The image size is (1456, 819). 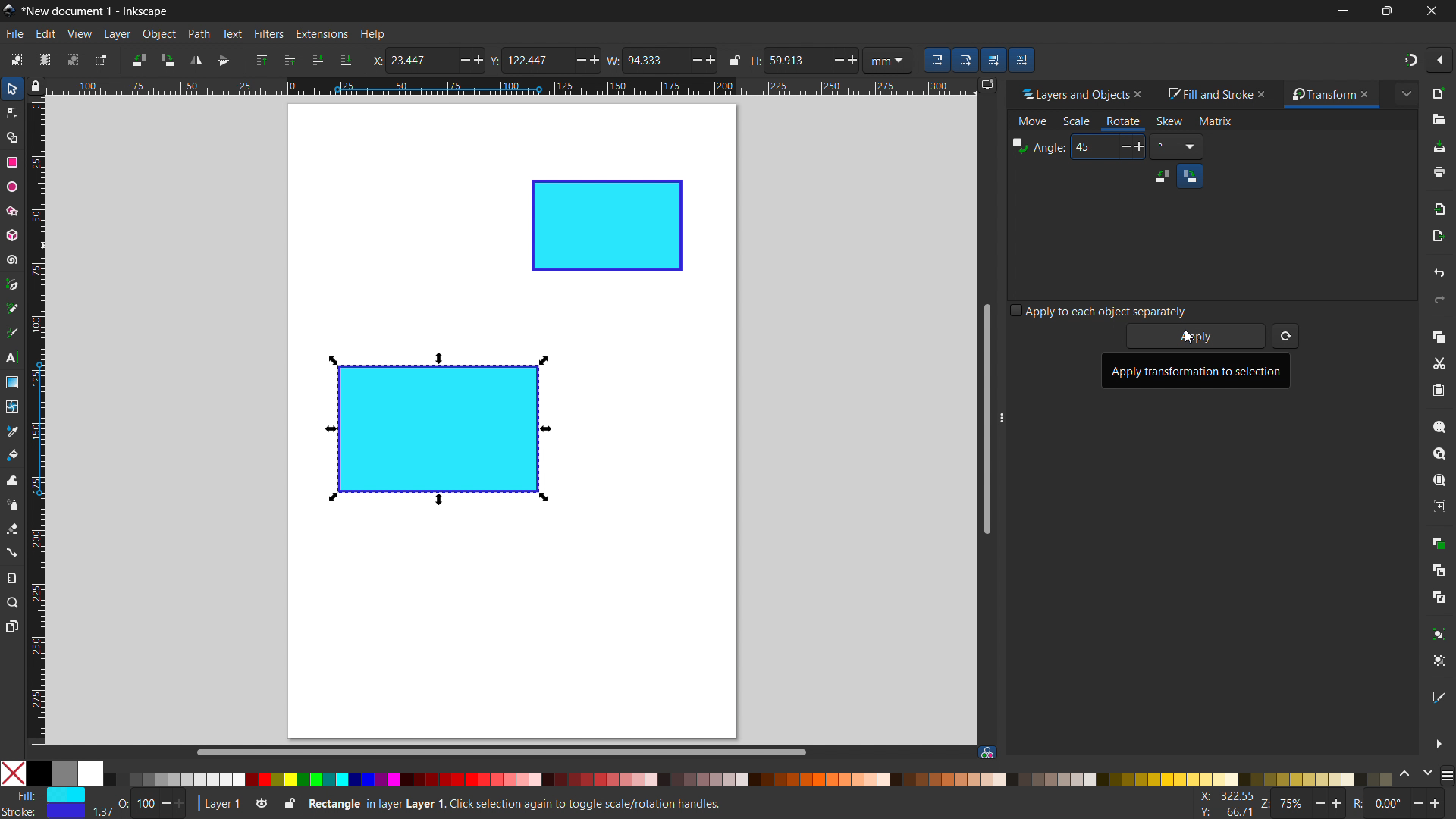 I want to click on more color opyions, so click(x=1447, y=774).